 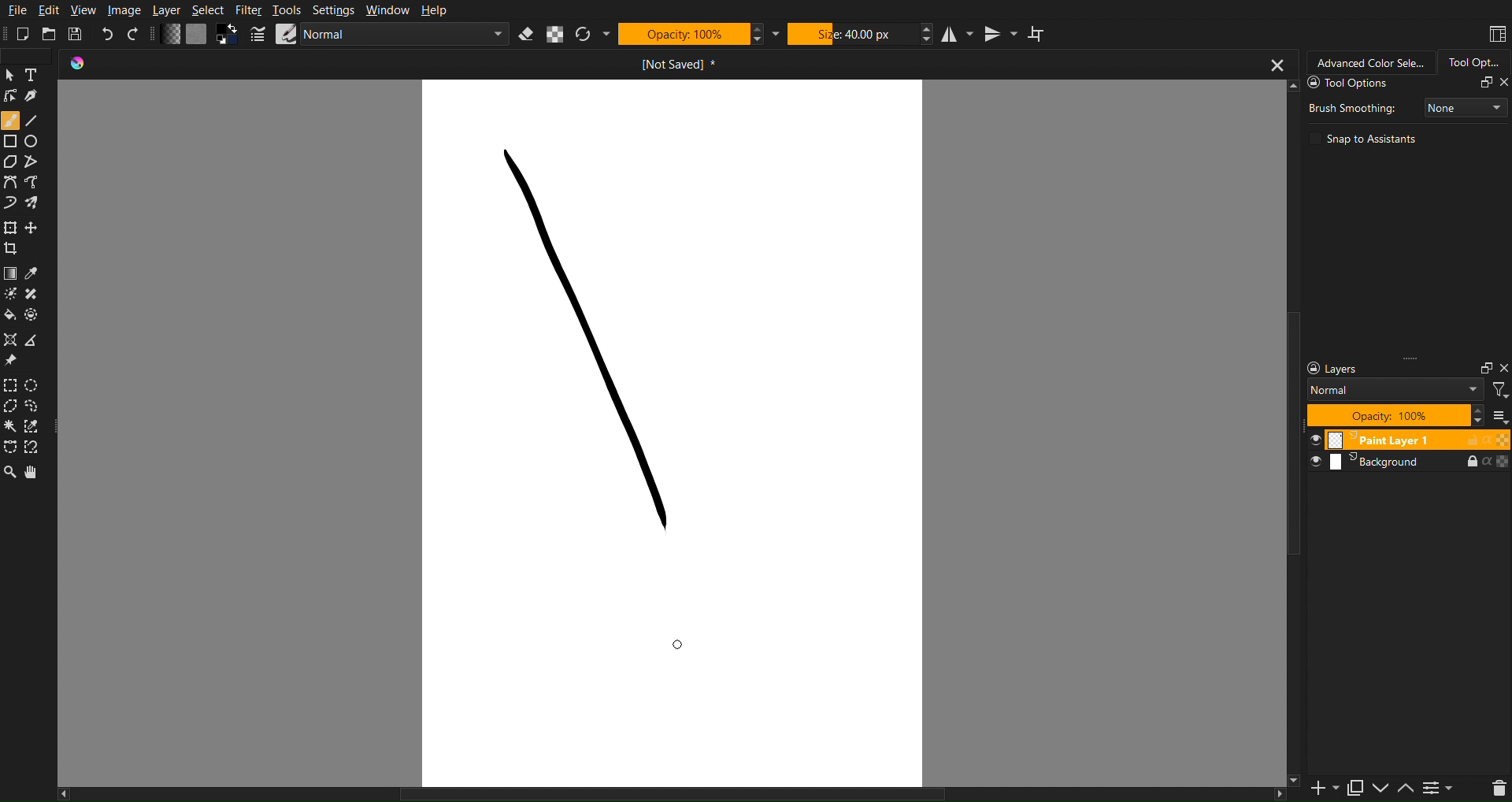 What do you see at coordinates (1396, 390) in the screenshot?
I see `Blend Mode` at bounding box center [1396, 390].